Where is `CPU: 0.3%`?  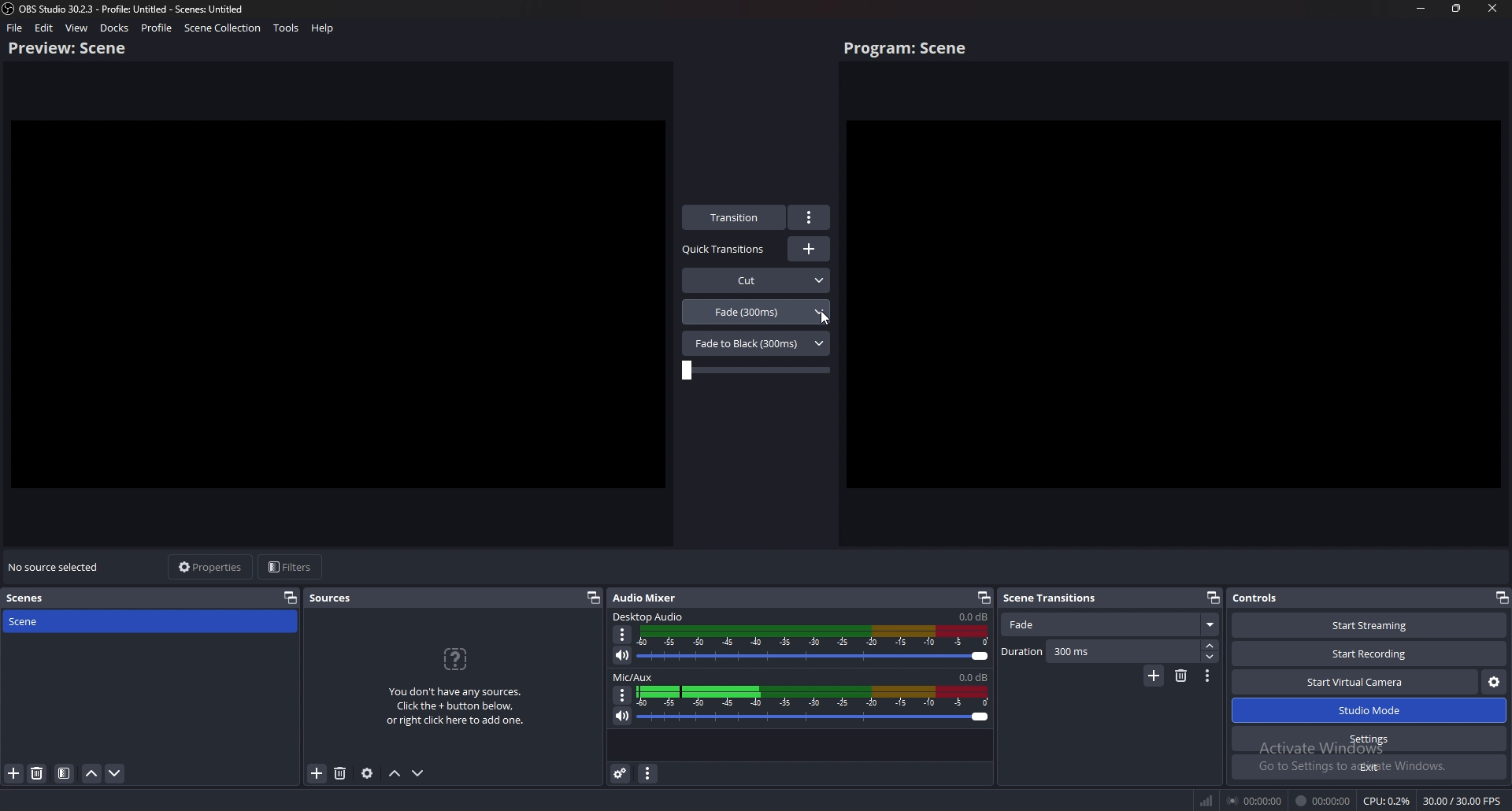
CPU: 0.3% is located at coordinates (1388, 801).